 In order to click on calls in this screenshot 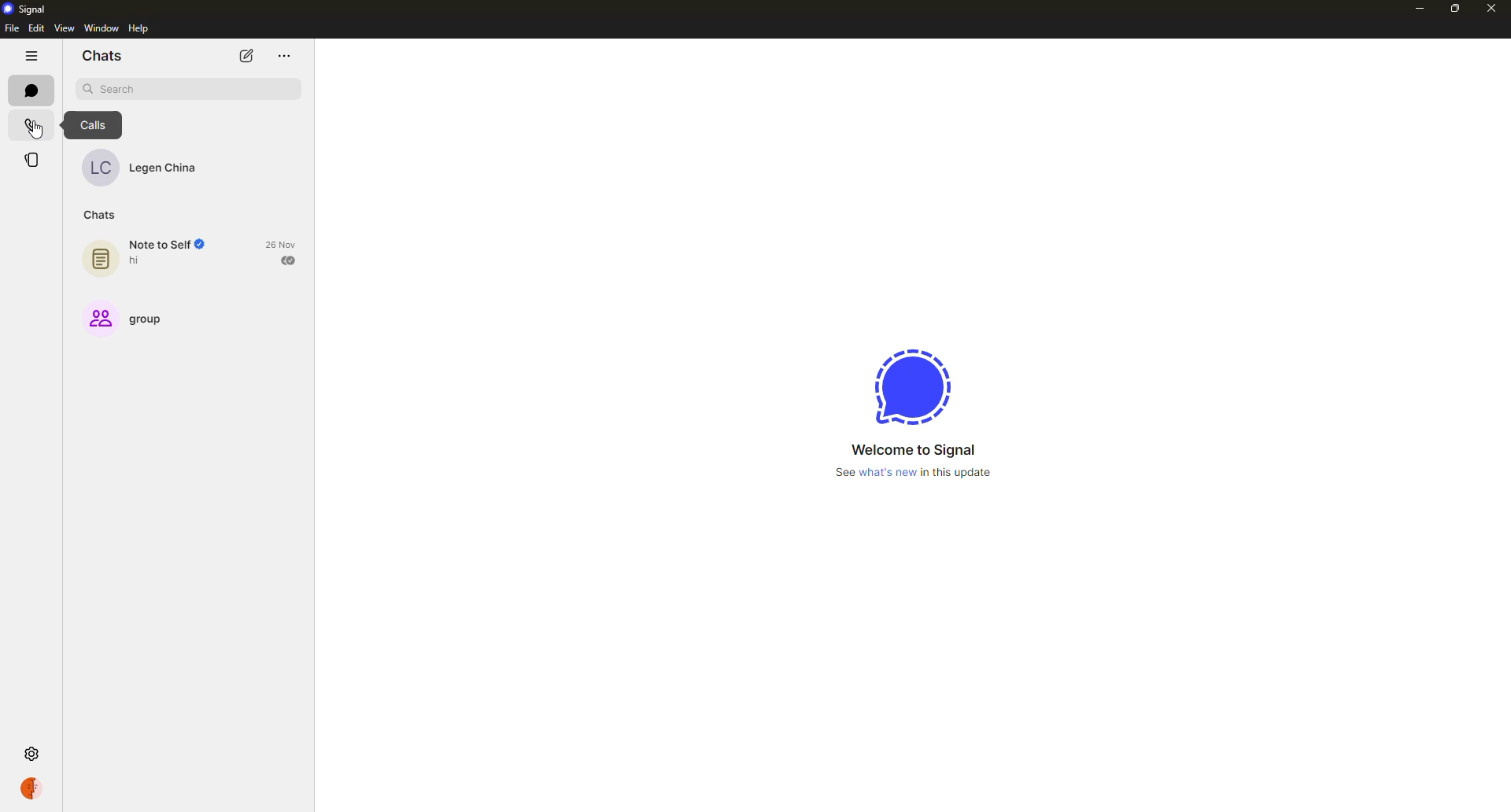, I will do `click(94, 125)`.